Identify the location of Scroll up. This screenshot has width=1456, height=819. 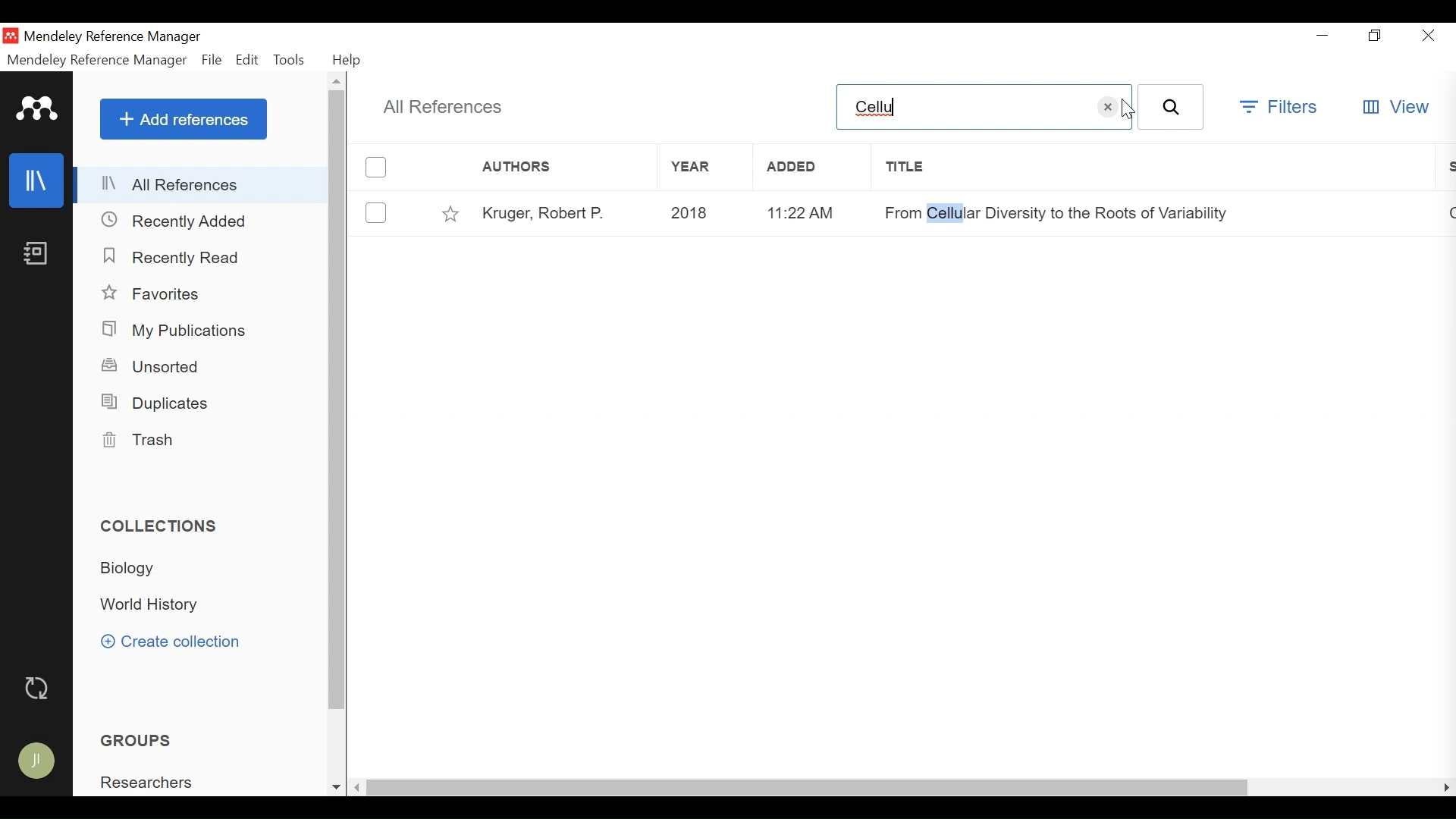
(338, 82).